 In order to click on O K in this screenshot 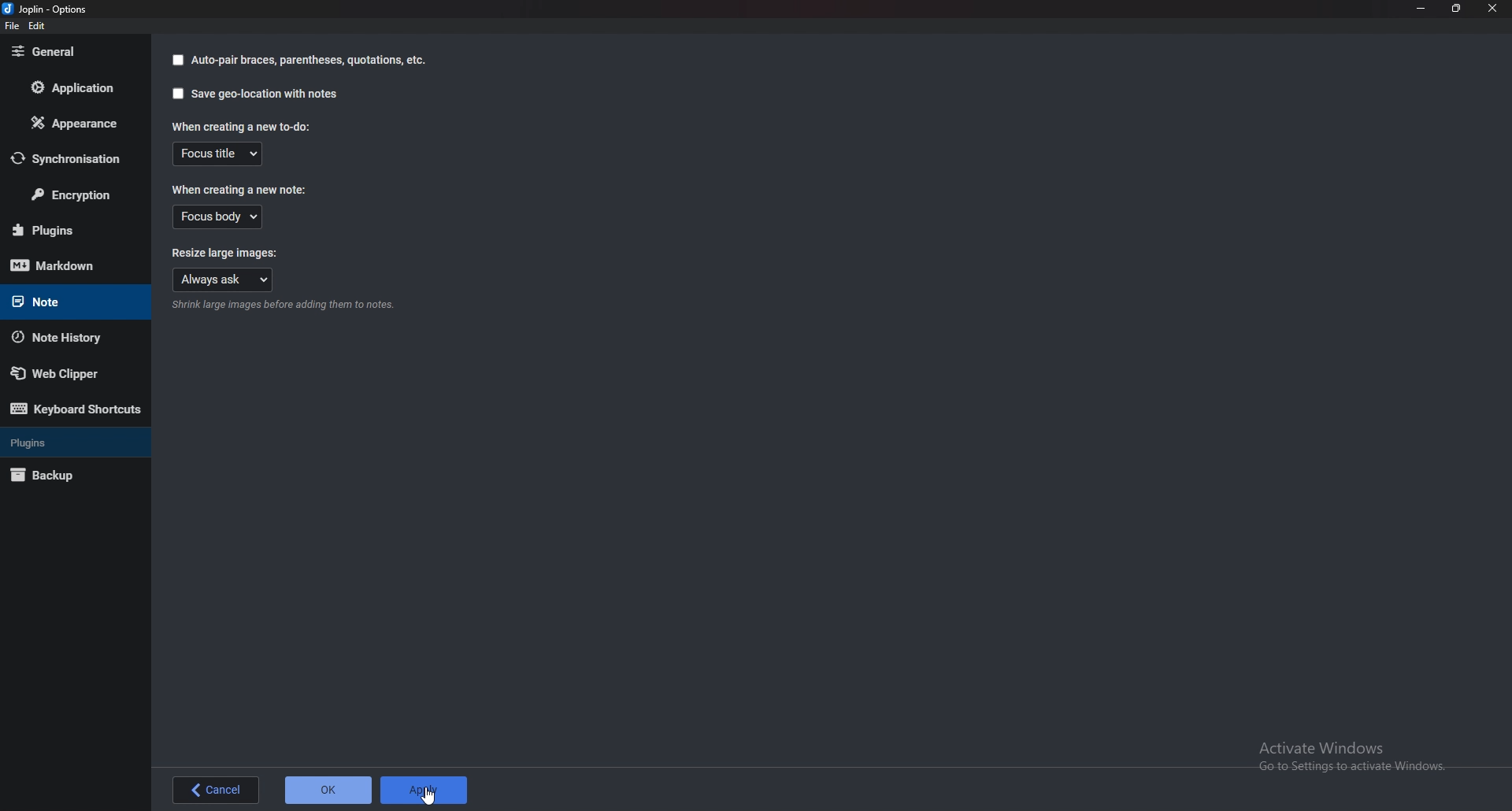, I will do `click(330, 791)`.